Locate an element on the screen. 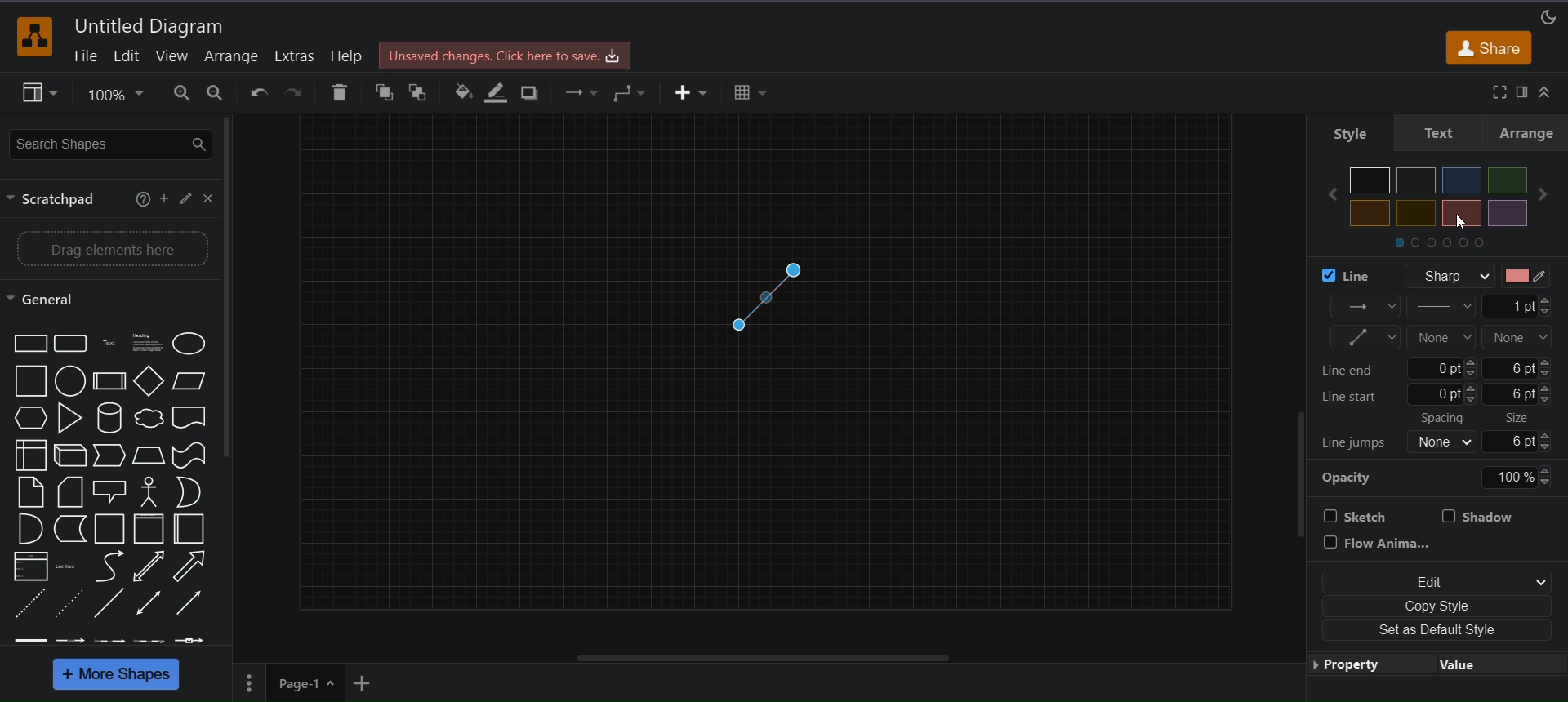  to back is located at coordinates (419, 92).